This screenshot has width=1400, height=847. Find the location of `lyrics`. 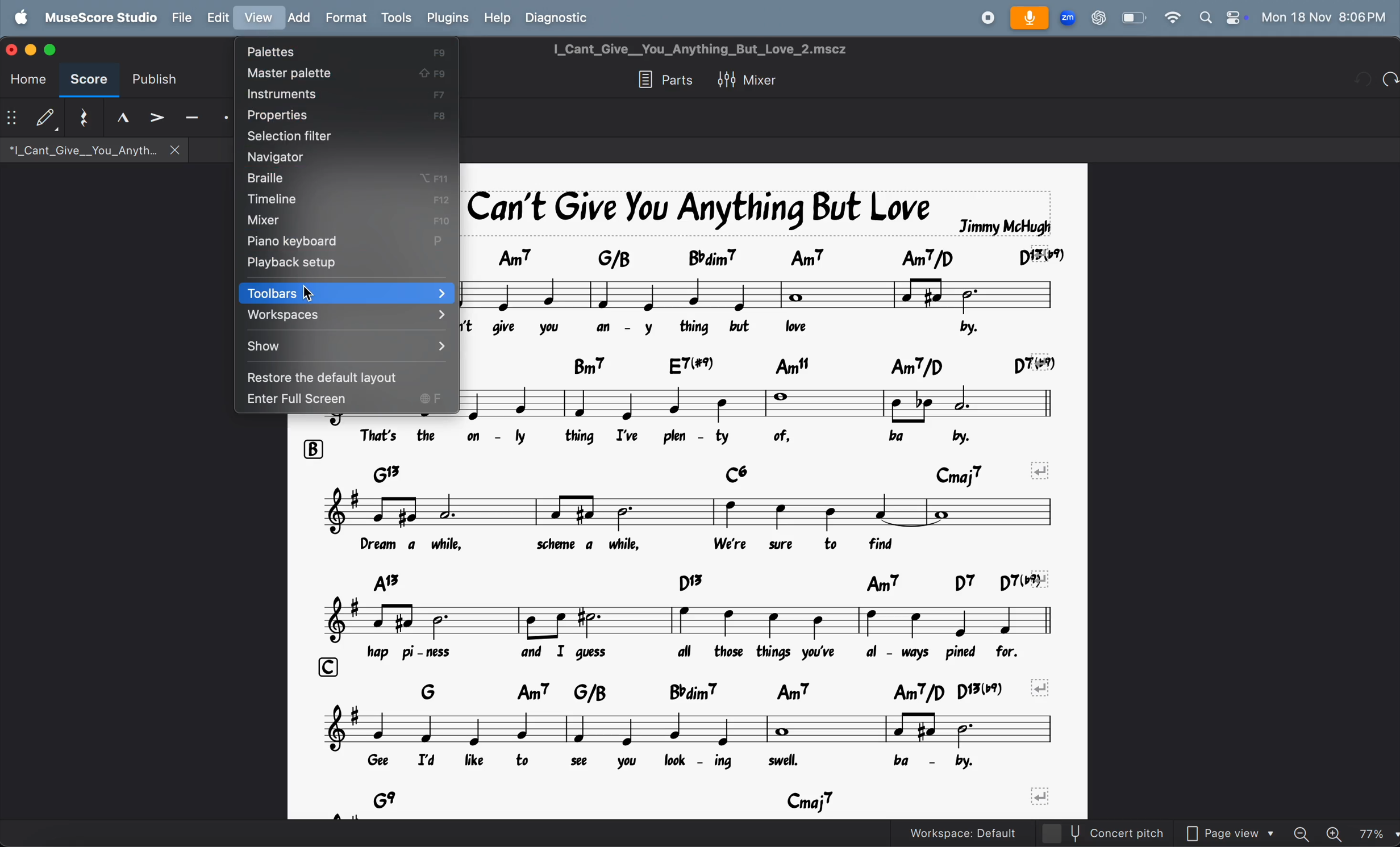

lyrics is located at coordinates (729, 328).